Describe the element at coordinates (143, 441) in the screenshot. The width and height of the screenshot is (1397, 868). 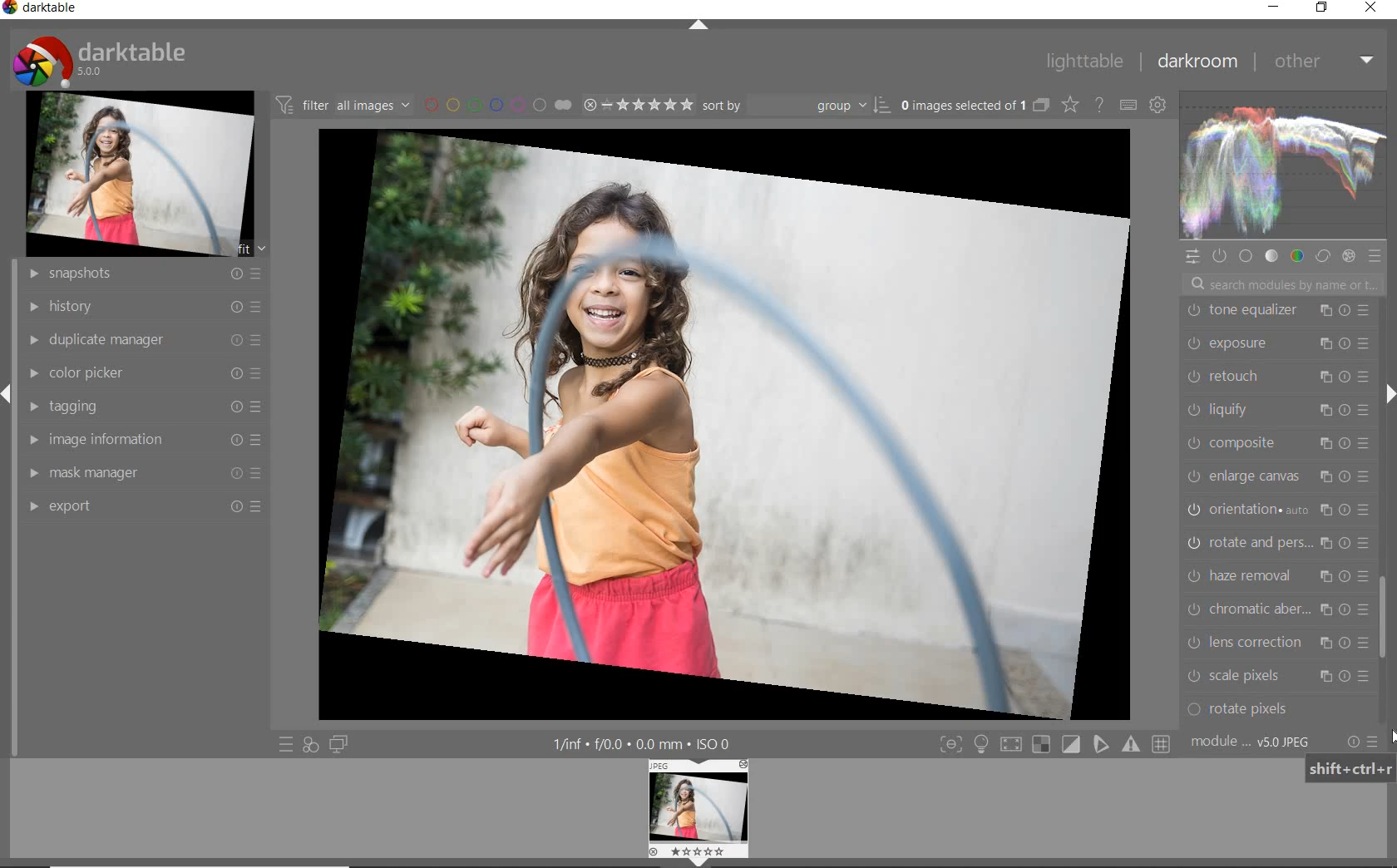
I see `image information` at that location.